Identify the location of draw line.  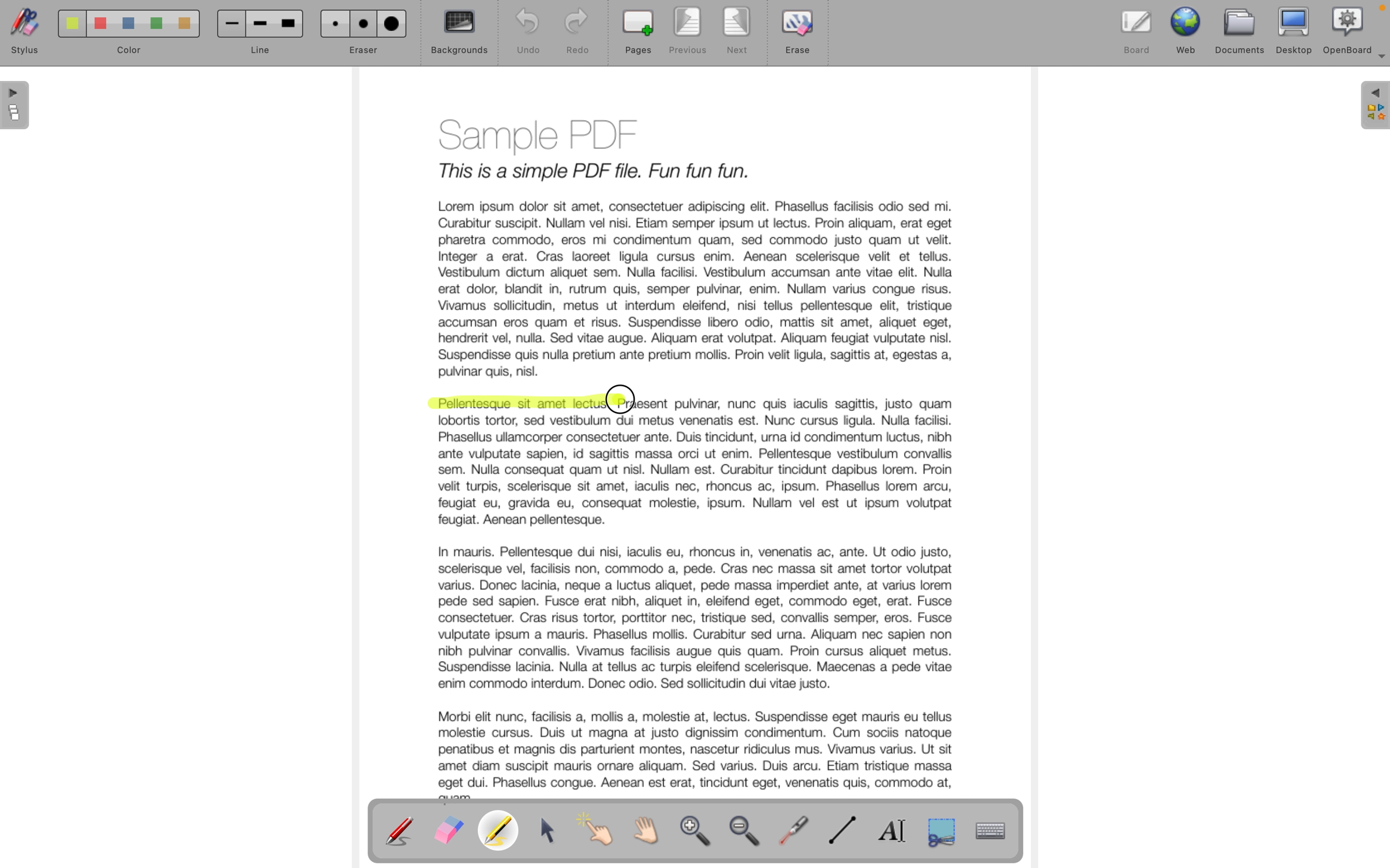
(847, 831).